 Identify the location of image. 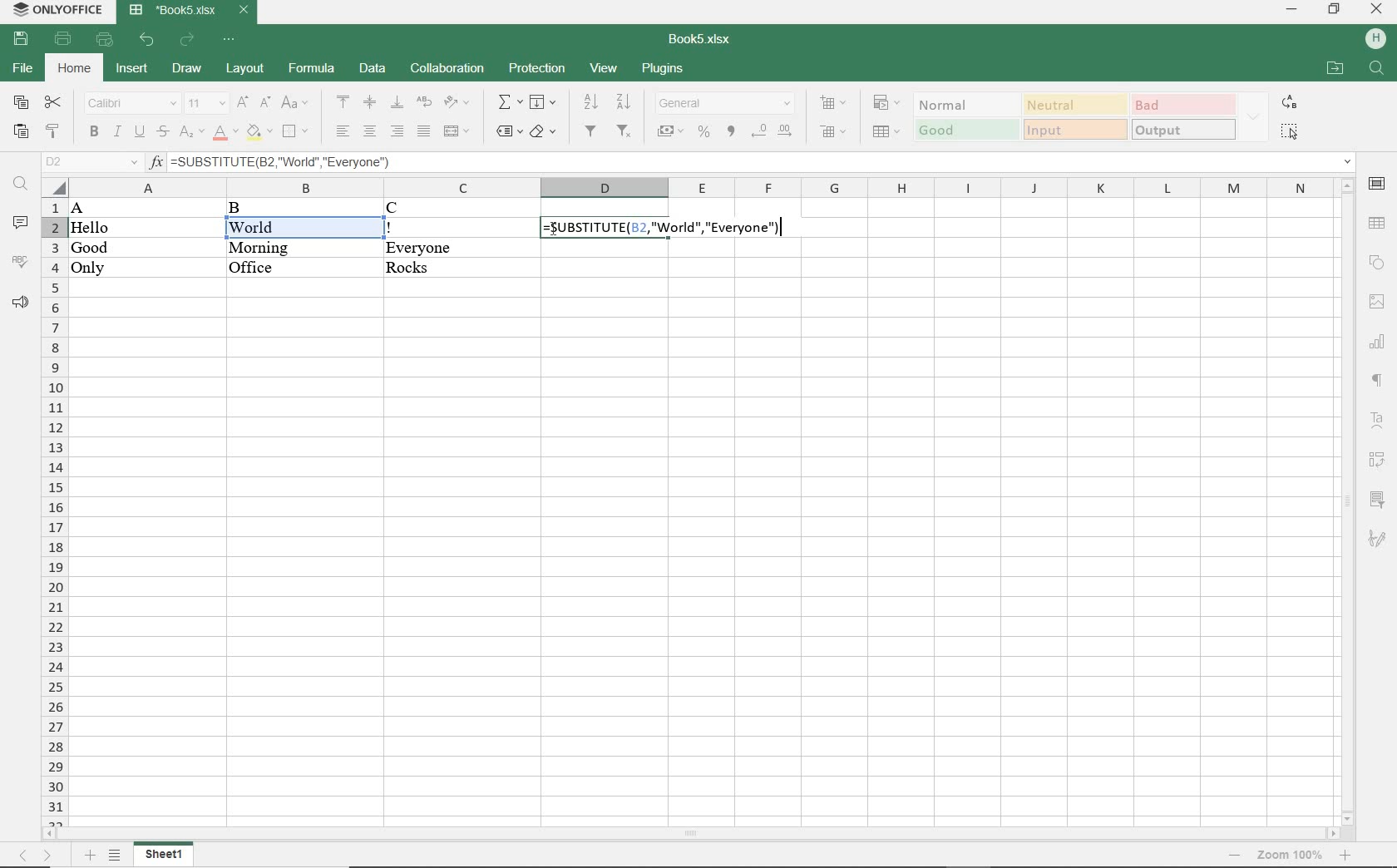
(1376, 301).